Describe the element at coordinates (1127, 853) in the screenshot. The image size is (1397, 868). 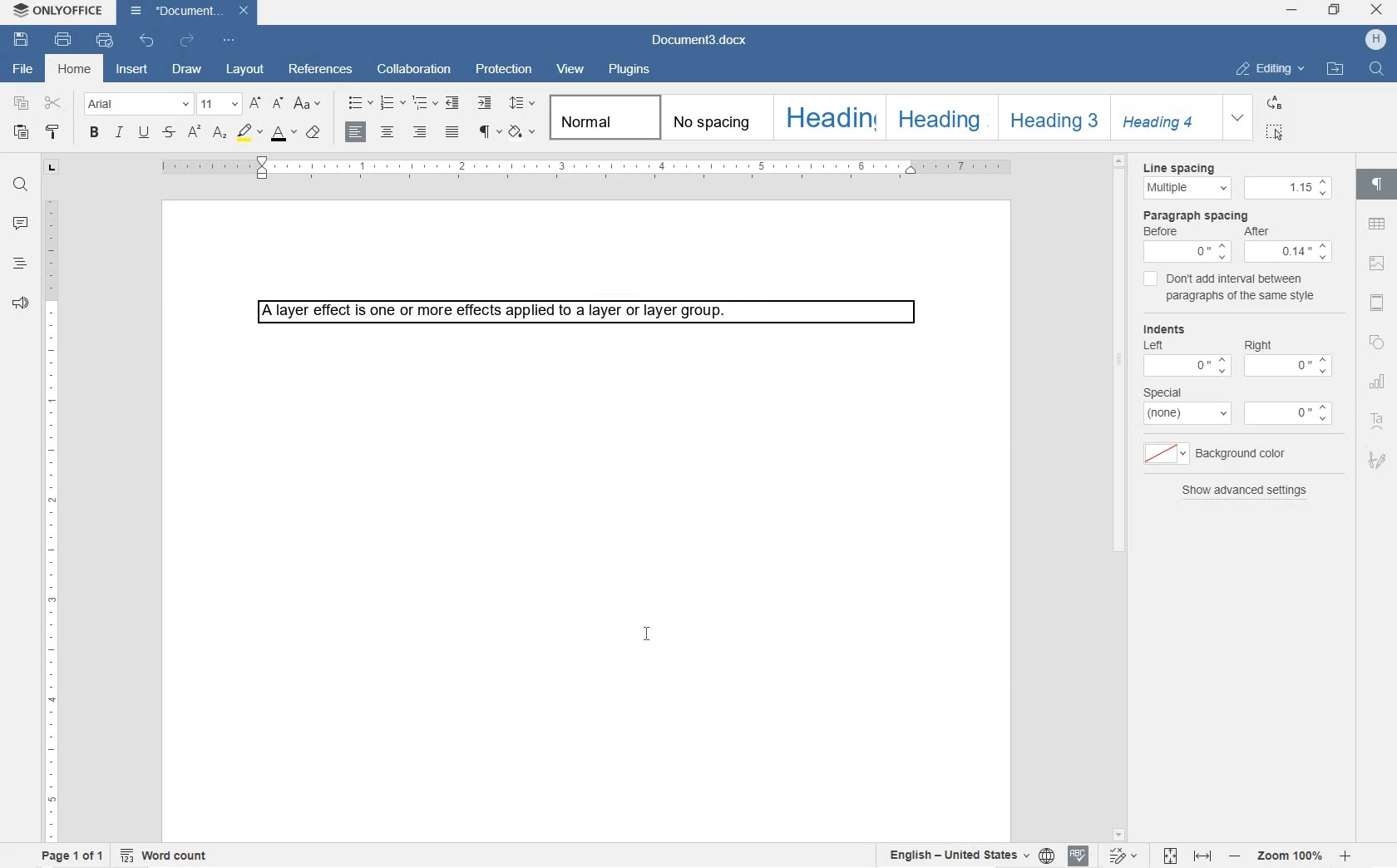
I see `TRACK CHANGES` at that location.